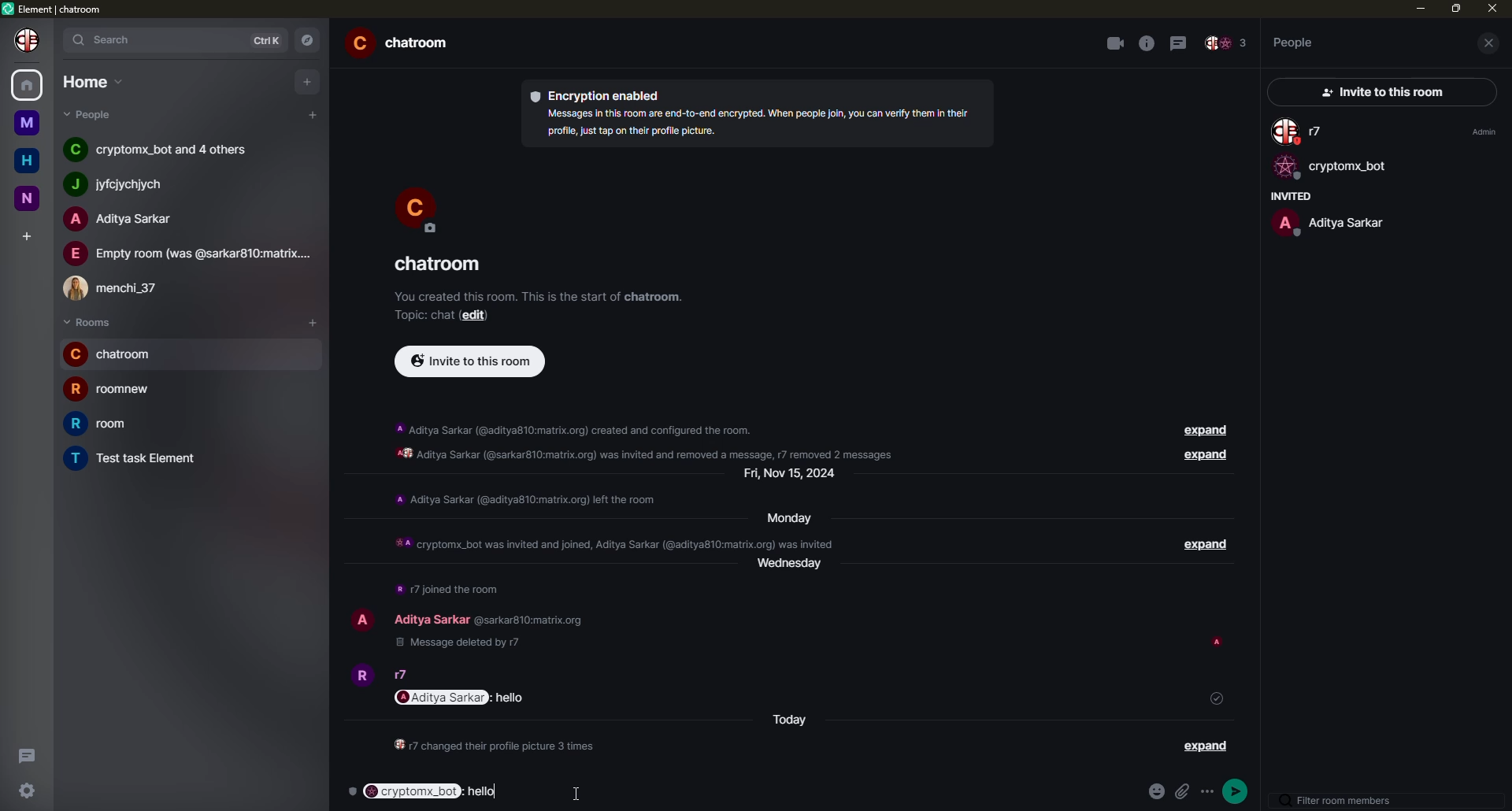  What do you see at coordinates (405, 675) in the screenshot?
I see `people` at bounding box center [405, 675].